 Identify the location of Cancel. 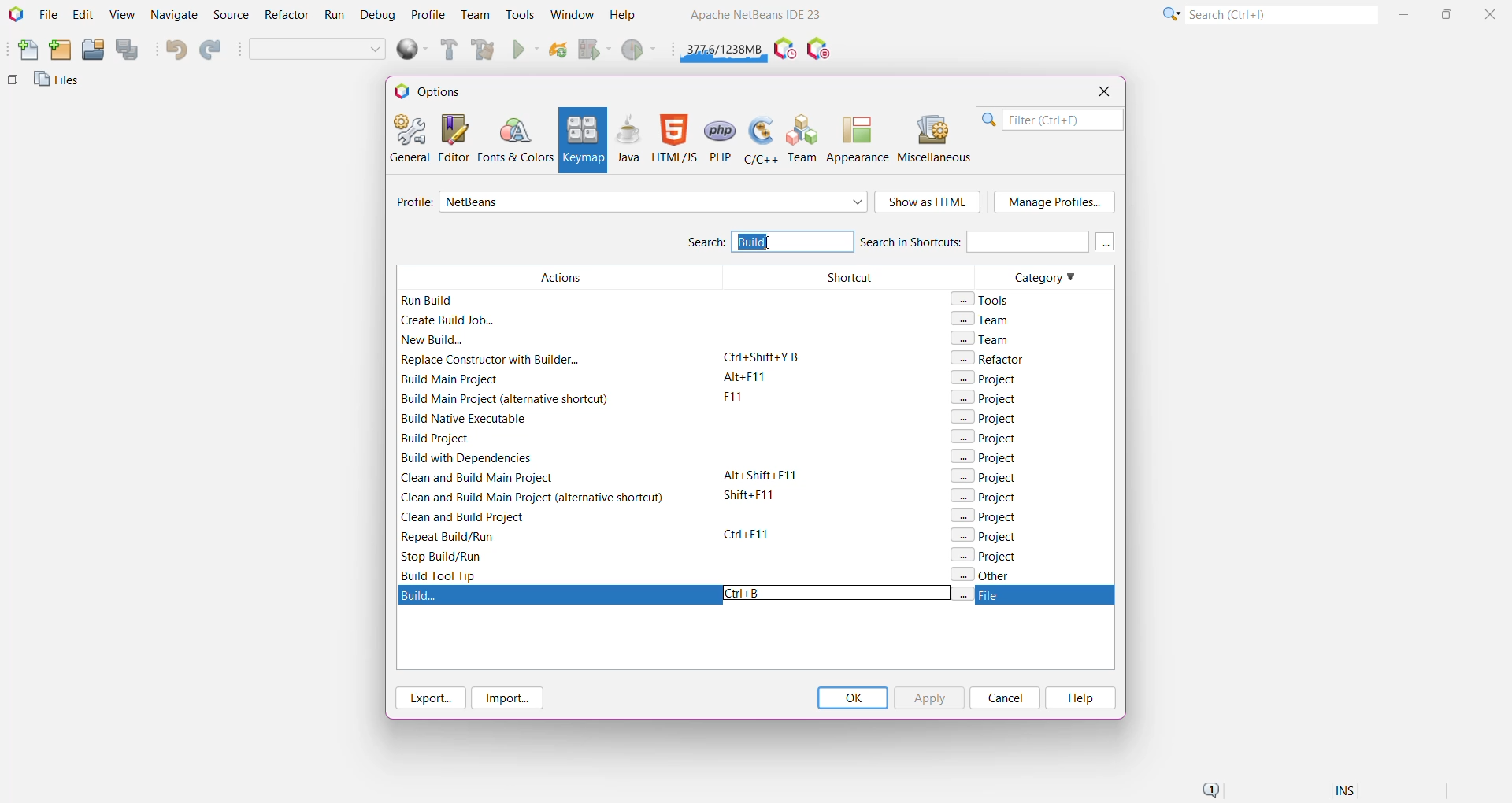
(1005, 698).